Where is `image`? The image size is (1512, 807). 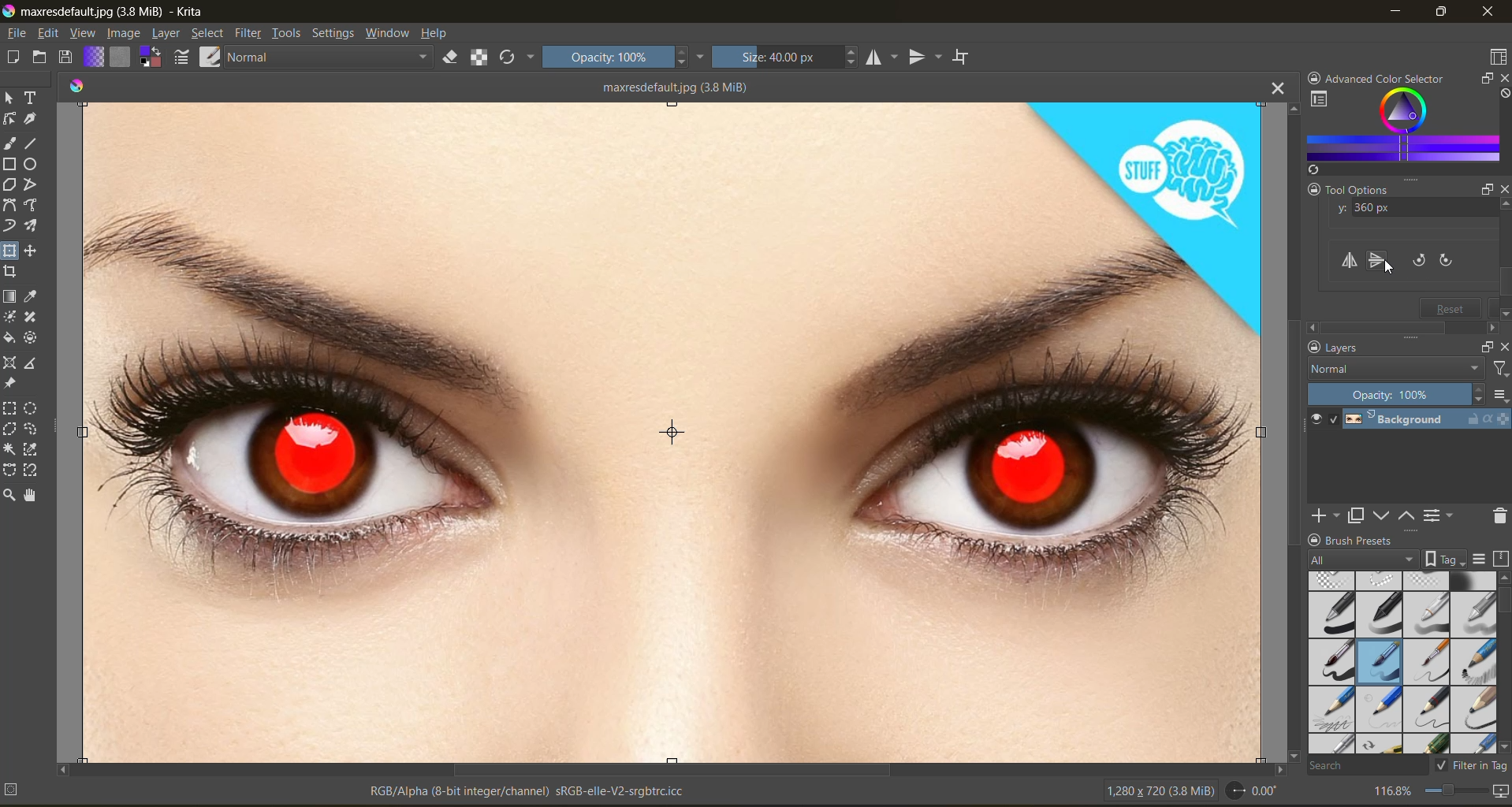 image is located at coordinates (124, 35).